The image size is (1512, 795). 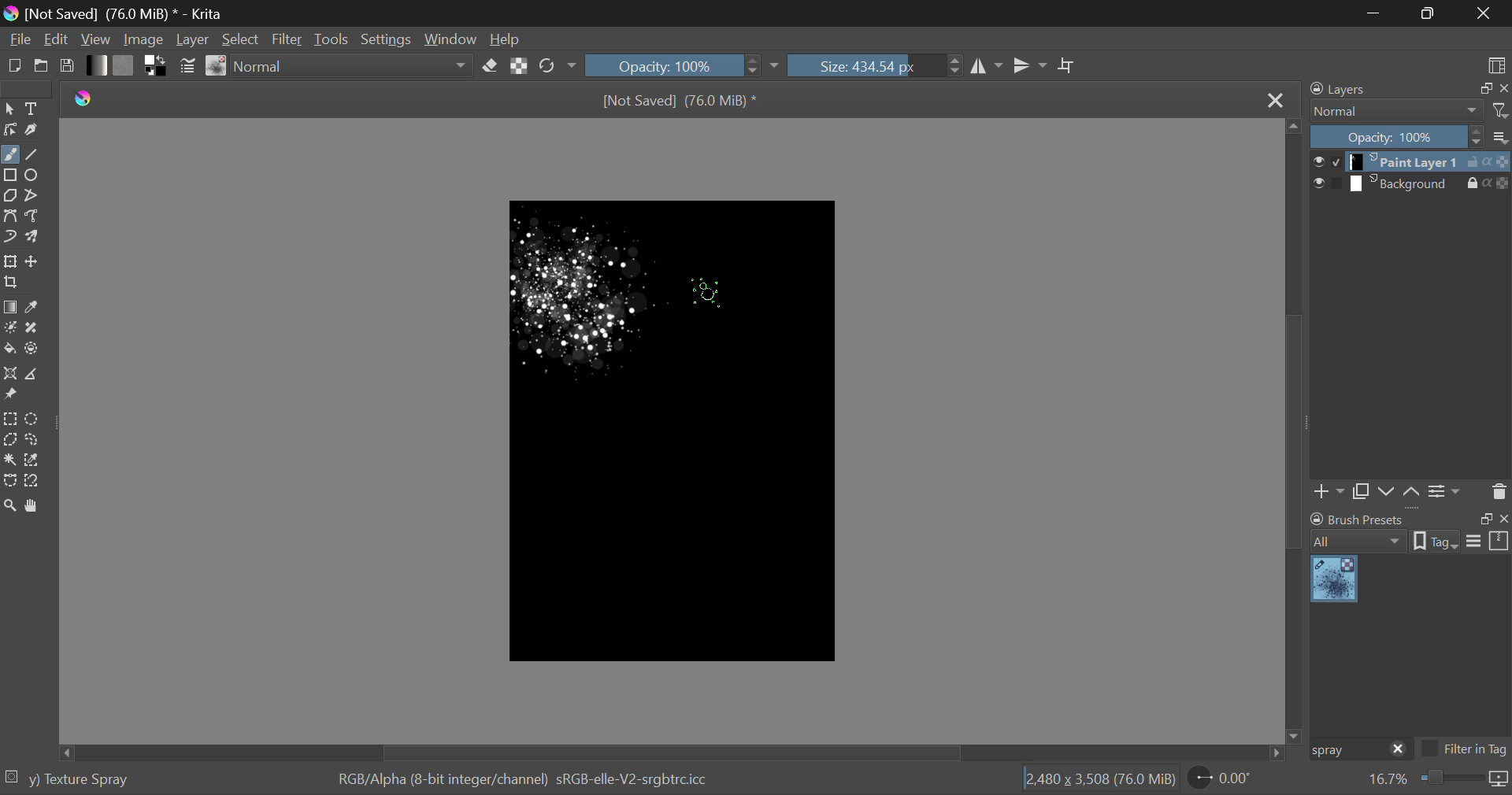 I want to click on close, so click(x=1399, y=750).